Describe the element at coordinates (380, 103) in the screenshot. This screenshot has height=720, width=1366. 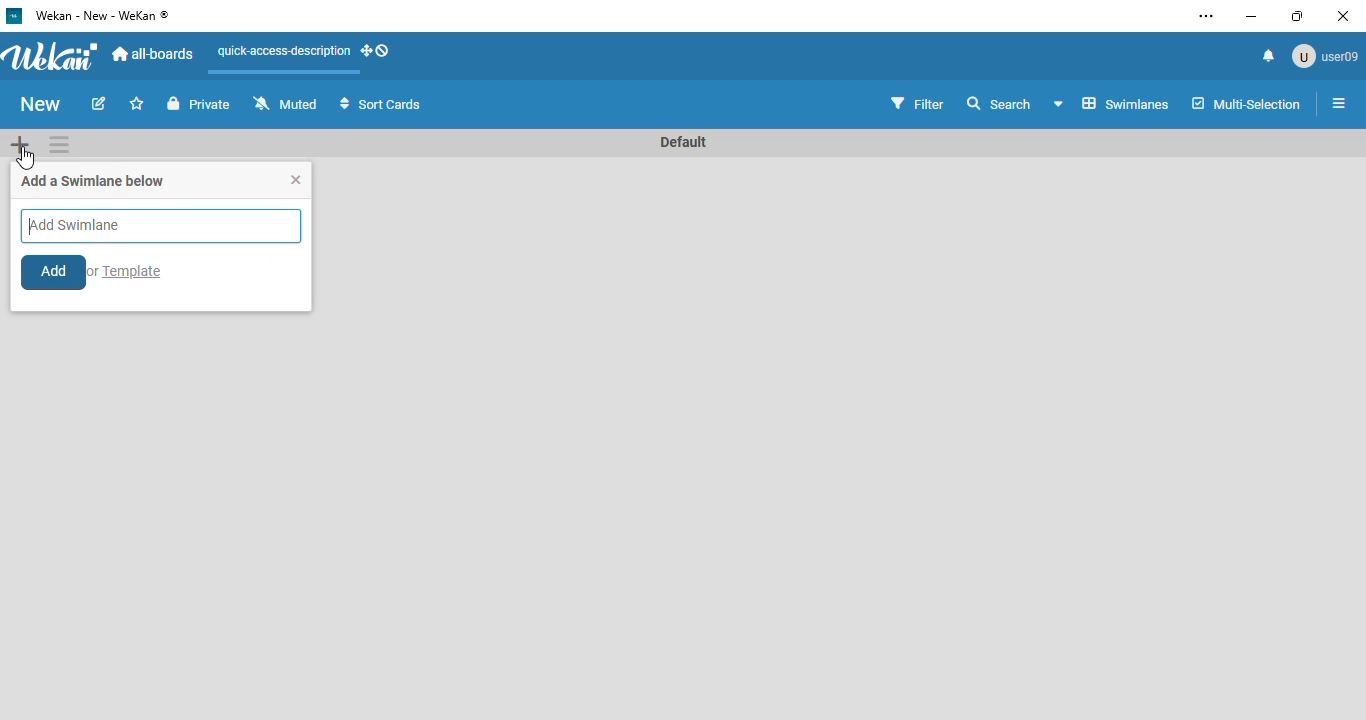
I see `sort cards` at that location.